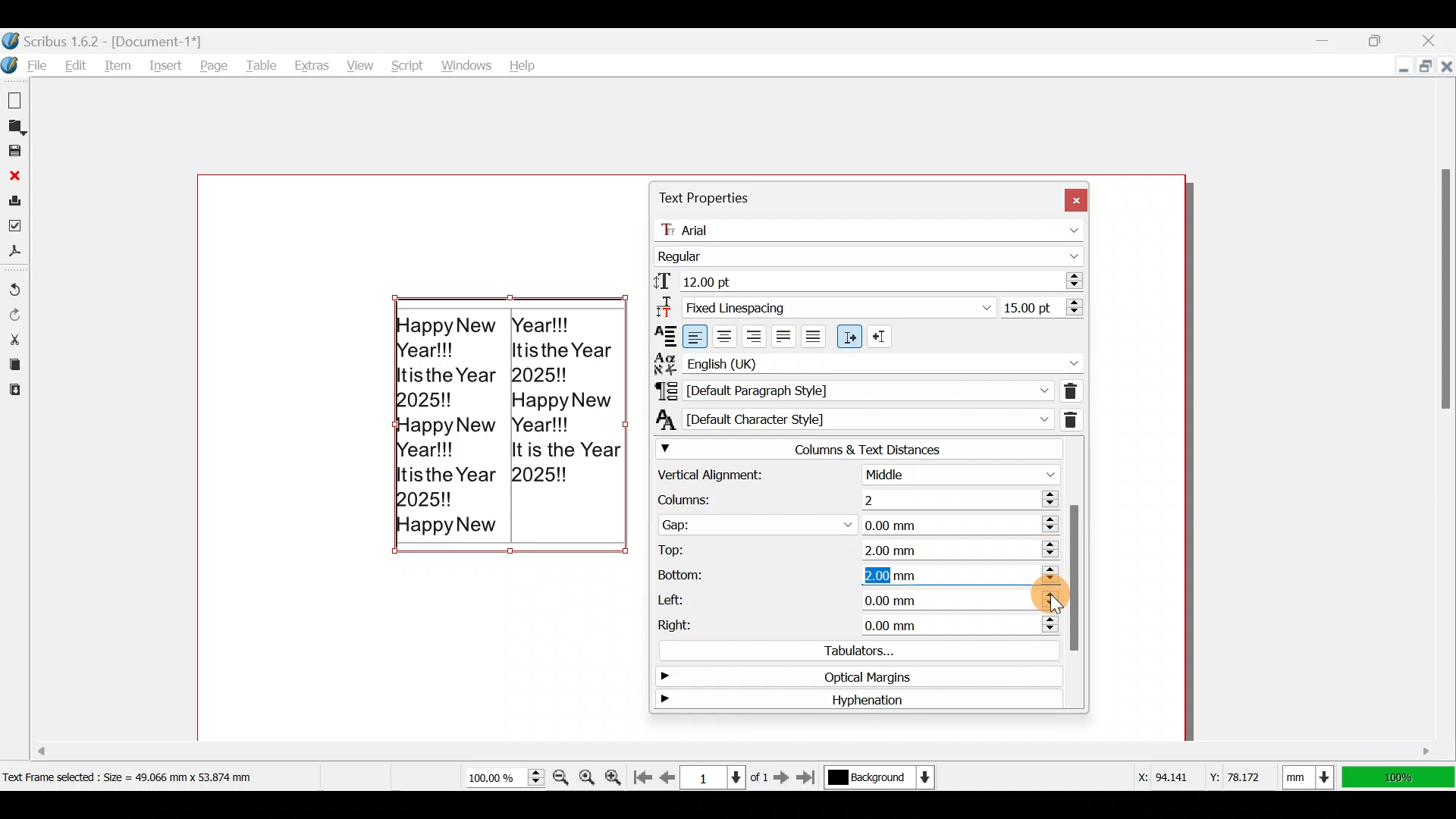  What do you see at coordinates (588, 777) in the screenshot?
I see `Zoom to 100%` at bounding box center [588, 777].